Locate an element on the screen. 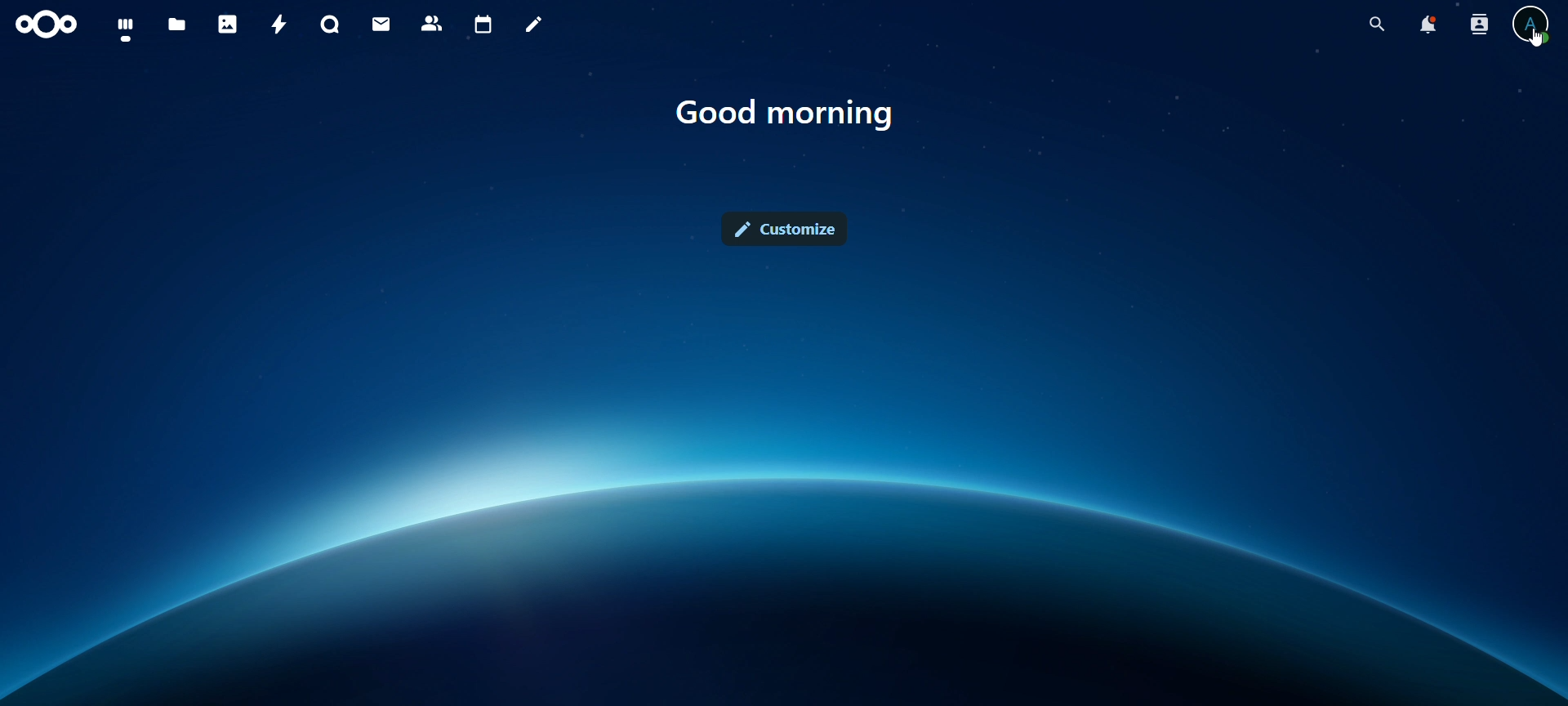 This screenshot has height=706, width=1568. icon is located at coordinates (48, 25).